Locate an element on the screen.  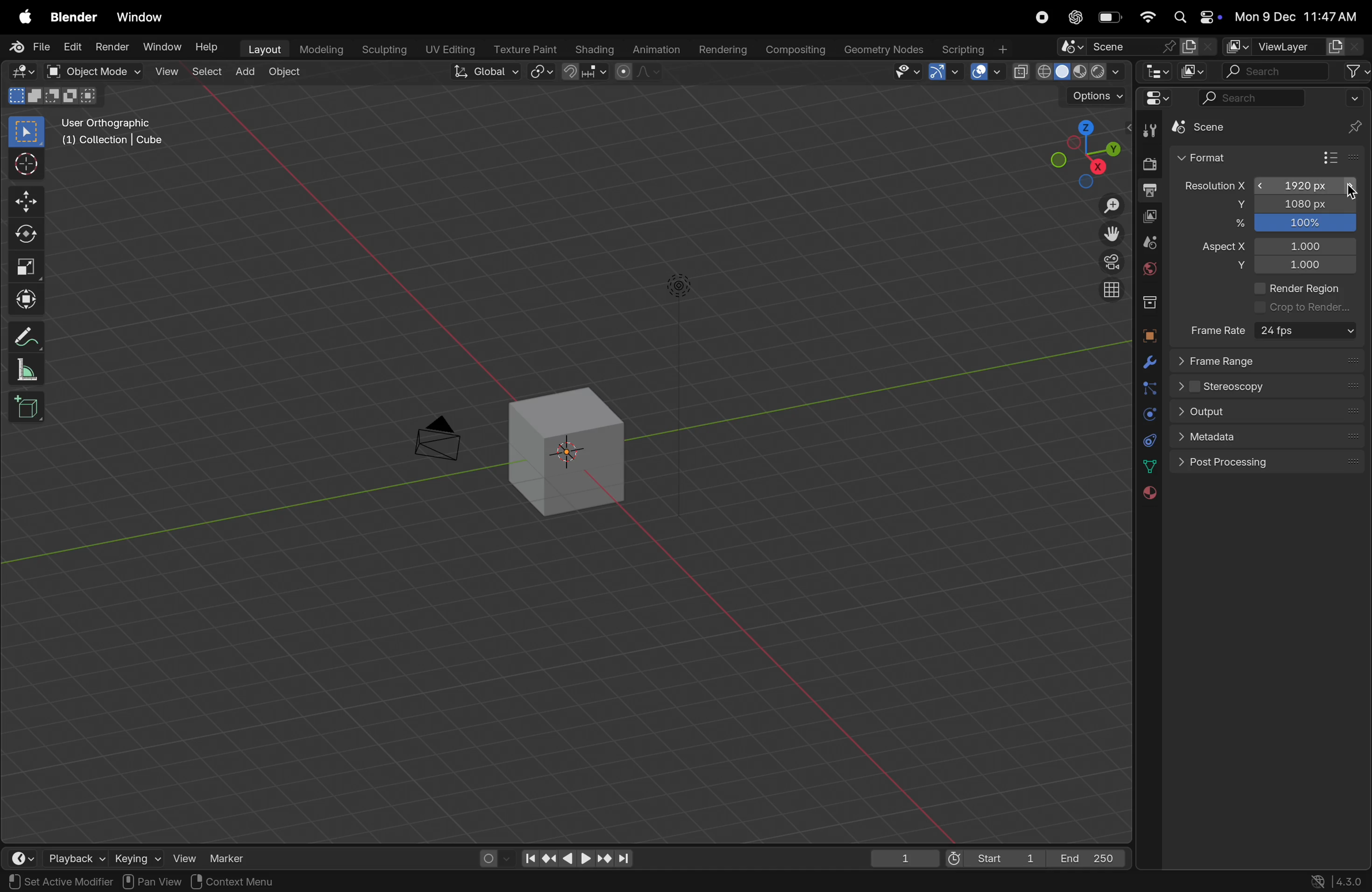
battery is located at coordinates (1106, 18).